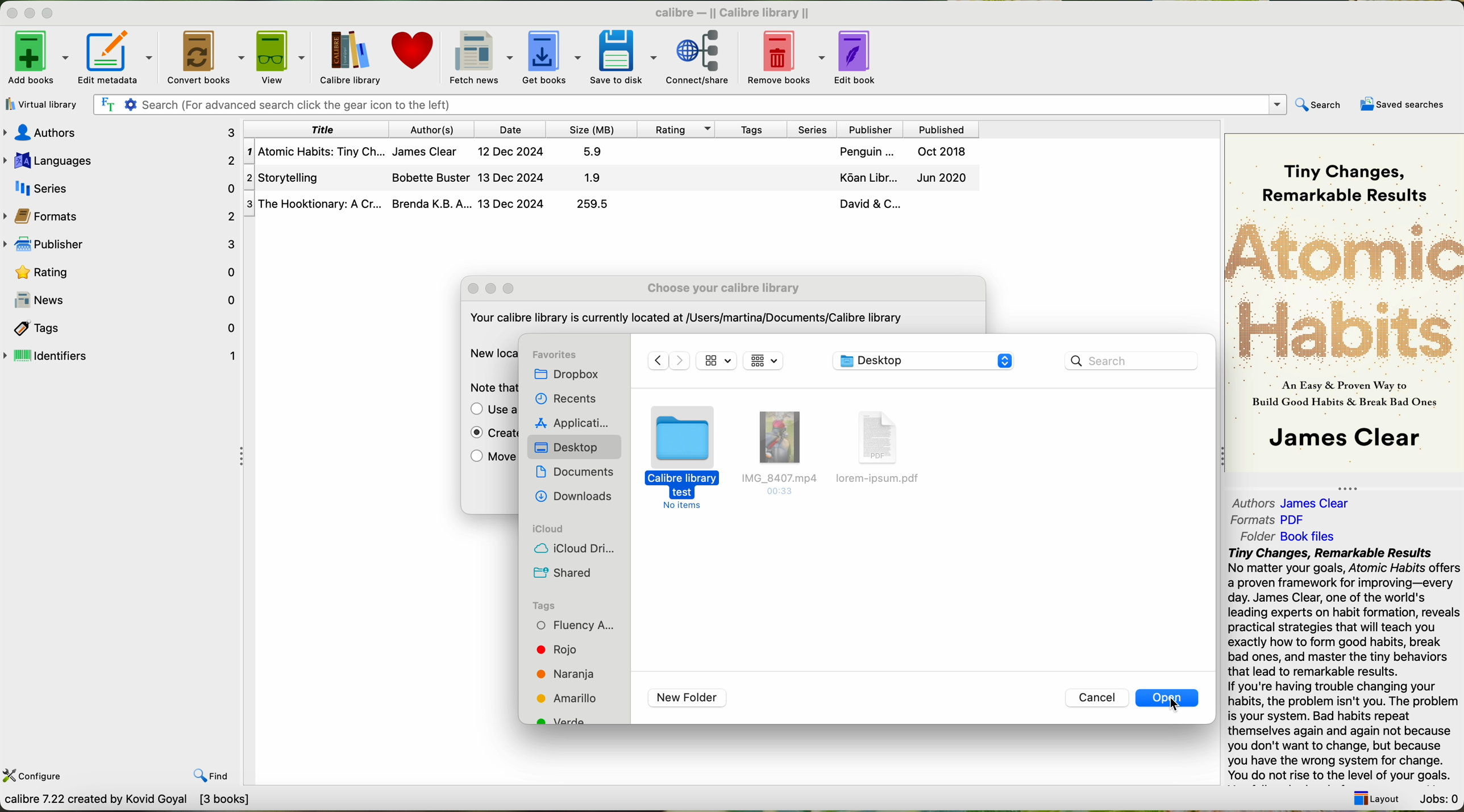 This screenshot has width=1464, height=812. What do you see at coordinates (1098, 698) in the screenshot?
I see `cancel` at bounding box center [1098, 698].